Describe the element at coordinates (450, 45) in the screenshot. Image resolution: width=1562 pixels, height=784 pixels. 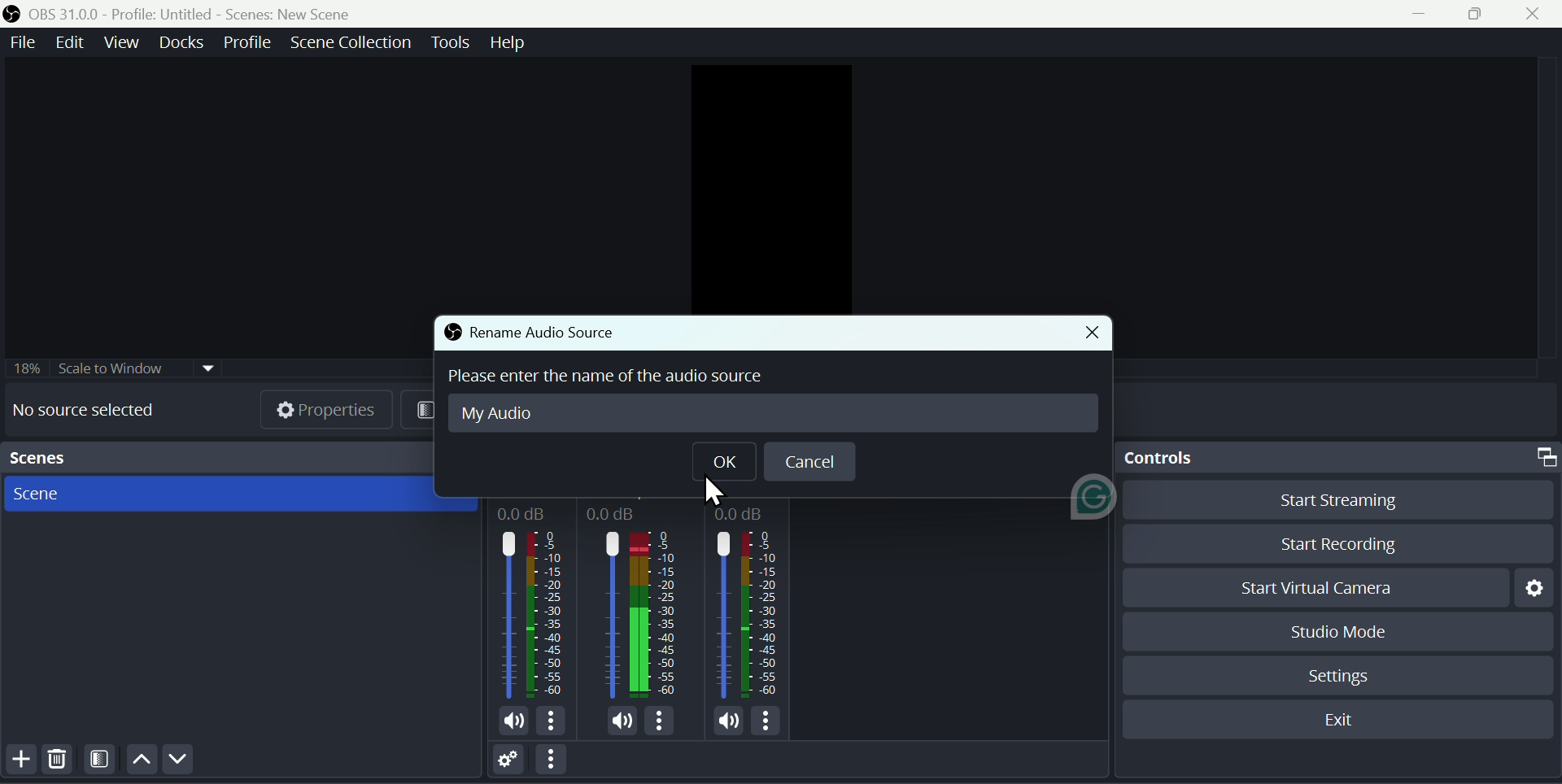
I see `Tools` at that location.